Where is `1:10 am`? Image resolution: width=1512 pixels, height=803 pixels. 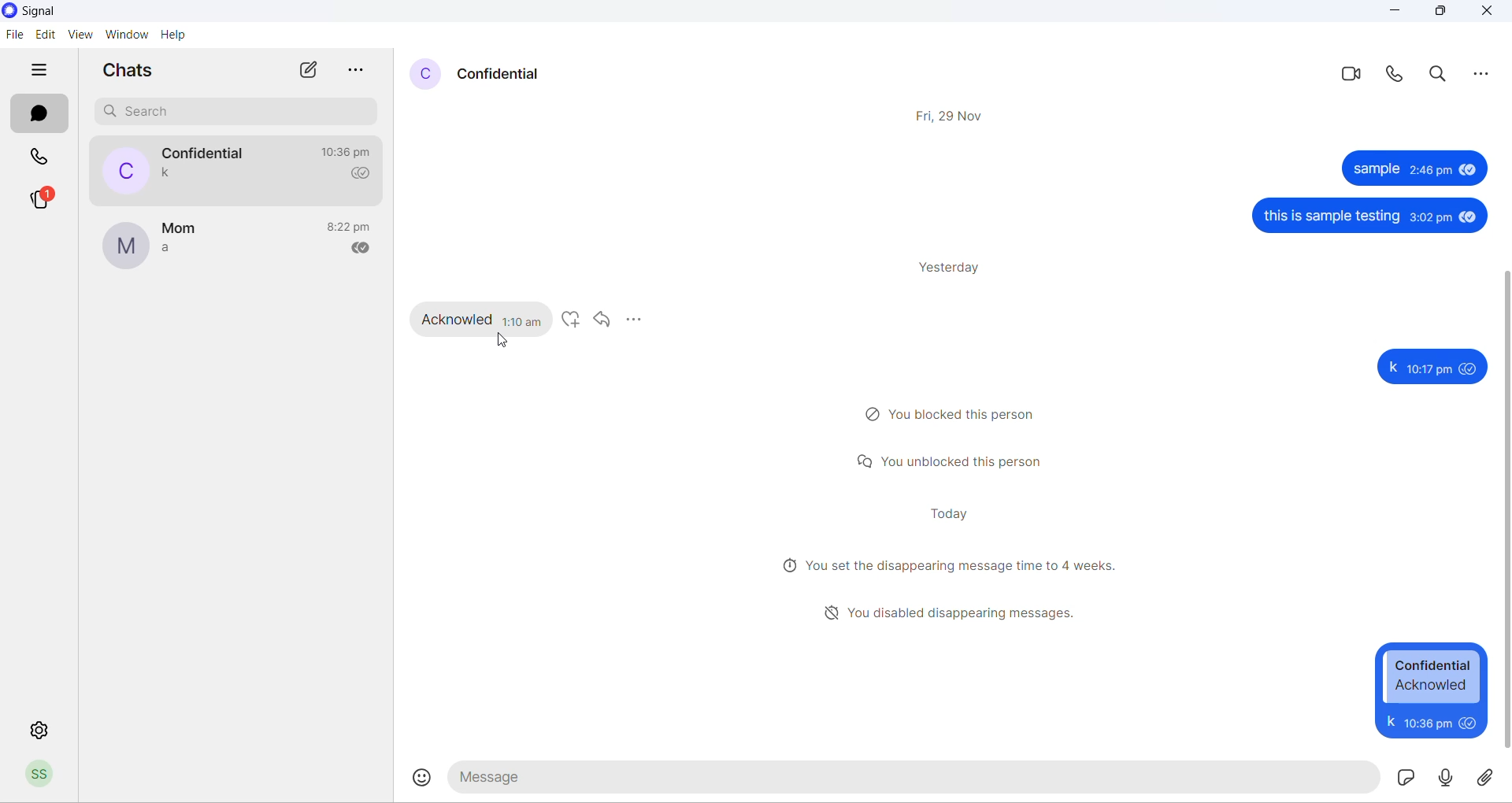
1:10 am is located at coordinates (523, 320).